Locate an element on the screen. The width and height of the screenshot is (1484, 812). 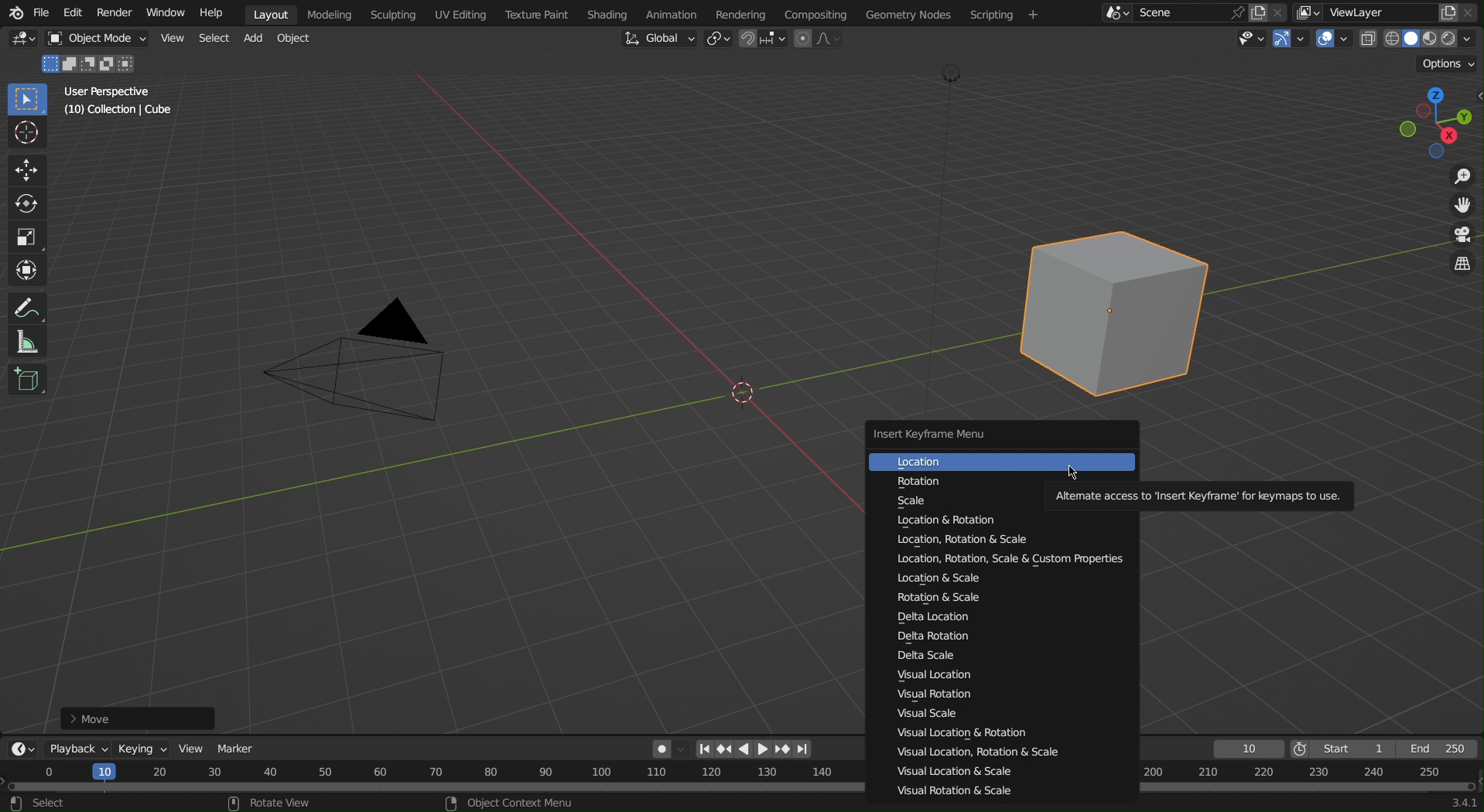
Visual Rotation & Scale is located at coordinates (964, 794).